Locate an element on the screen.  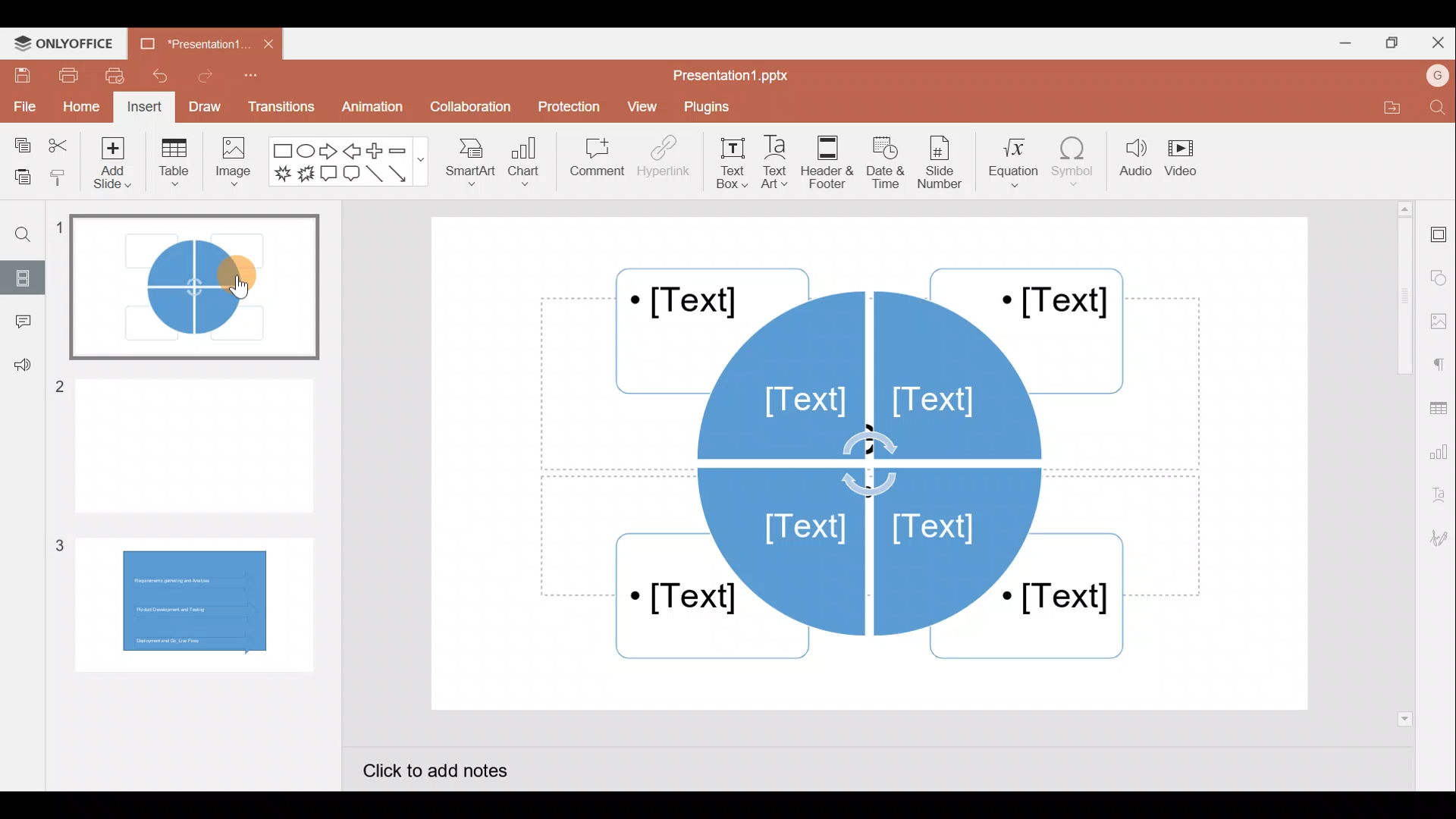
Slide 2 is located at coordinates (196, 441).